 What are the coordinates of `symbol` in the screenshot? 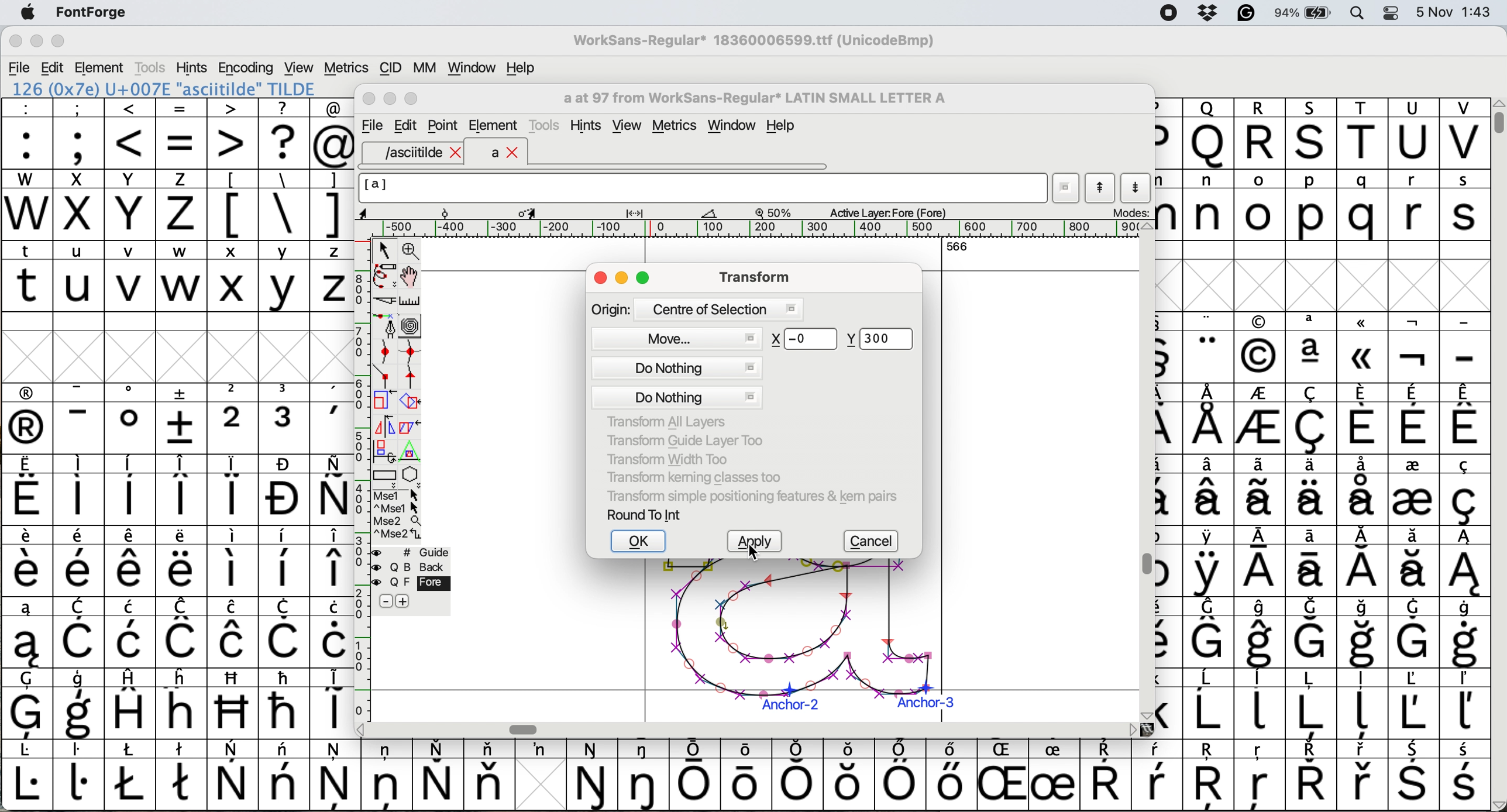 It's located at (1415, 349).